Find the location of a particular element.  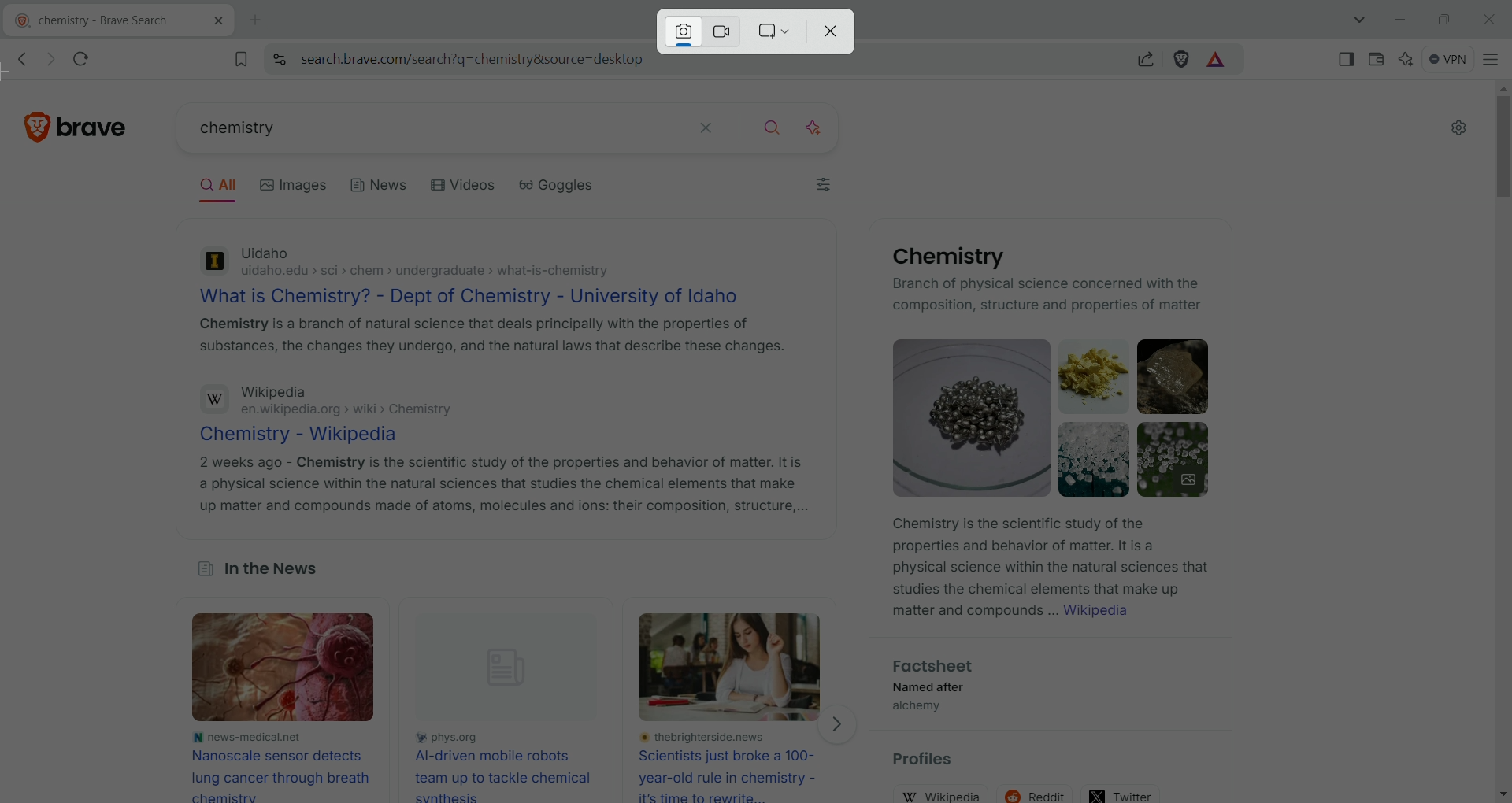

close is located at coordinates (1488, 18).